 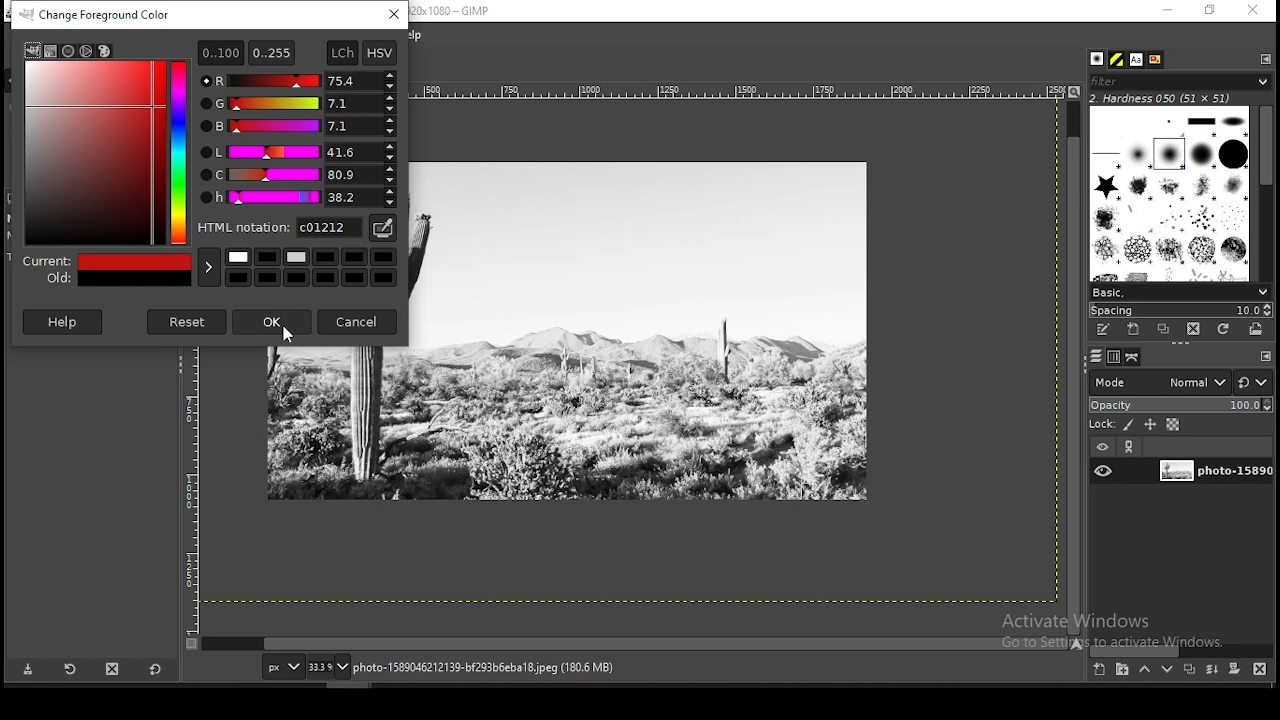 I want to click on lch lightness, so click(x=294, y=150).